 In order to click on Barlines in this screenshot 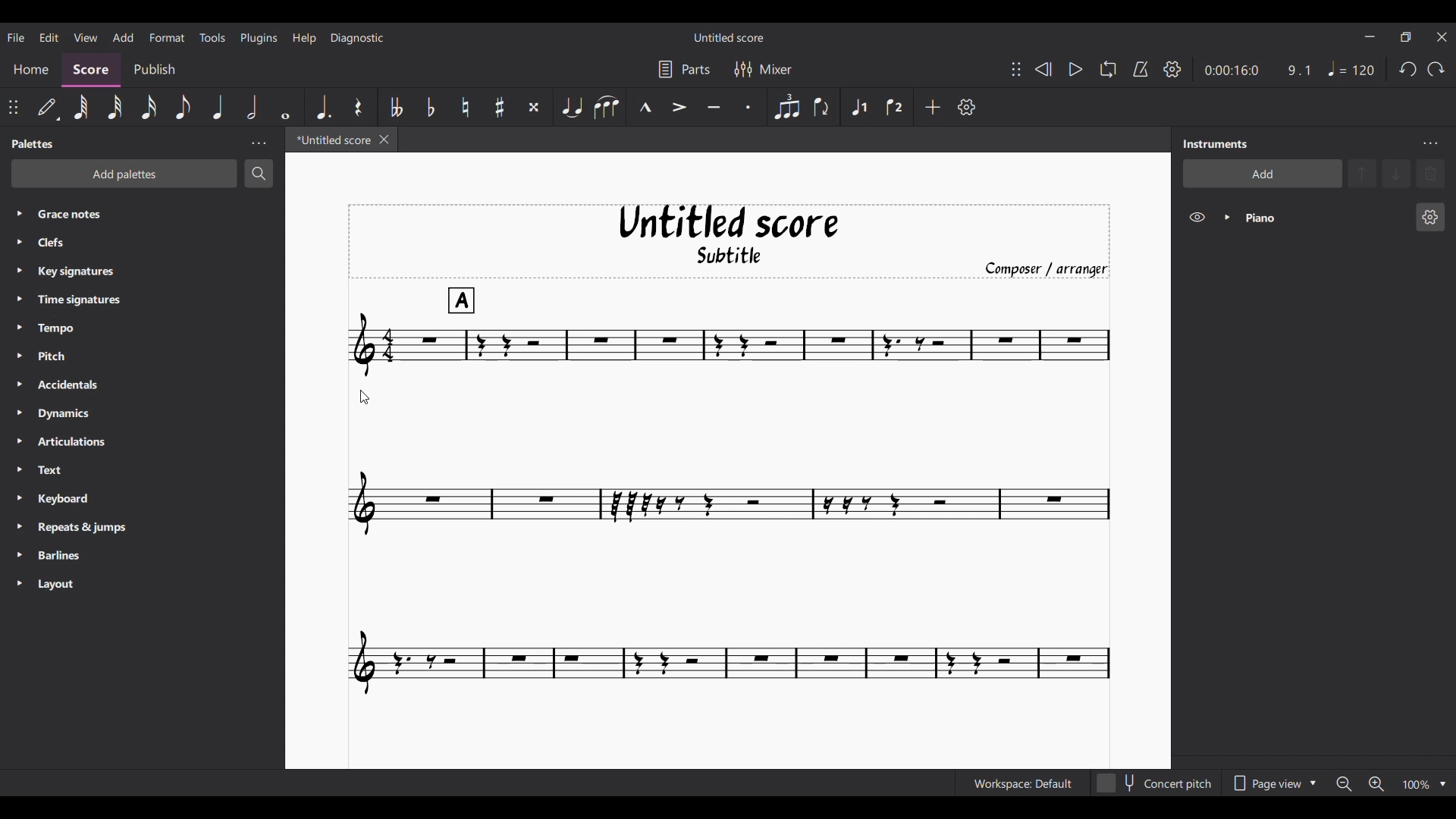, I will do `click(82, 557)`.